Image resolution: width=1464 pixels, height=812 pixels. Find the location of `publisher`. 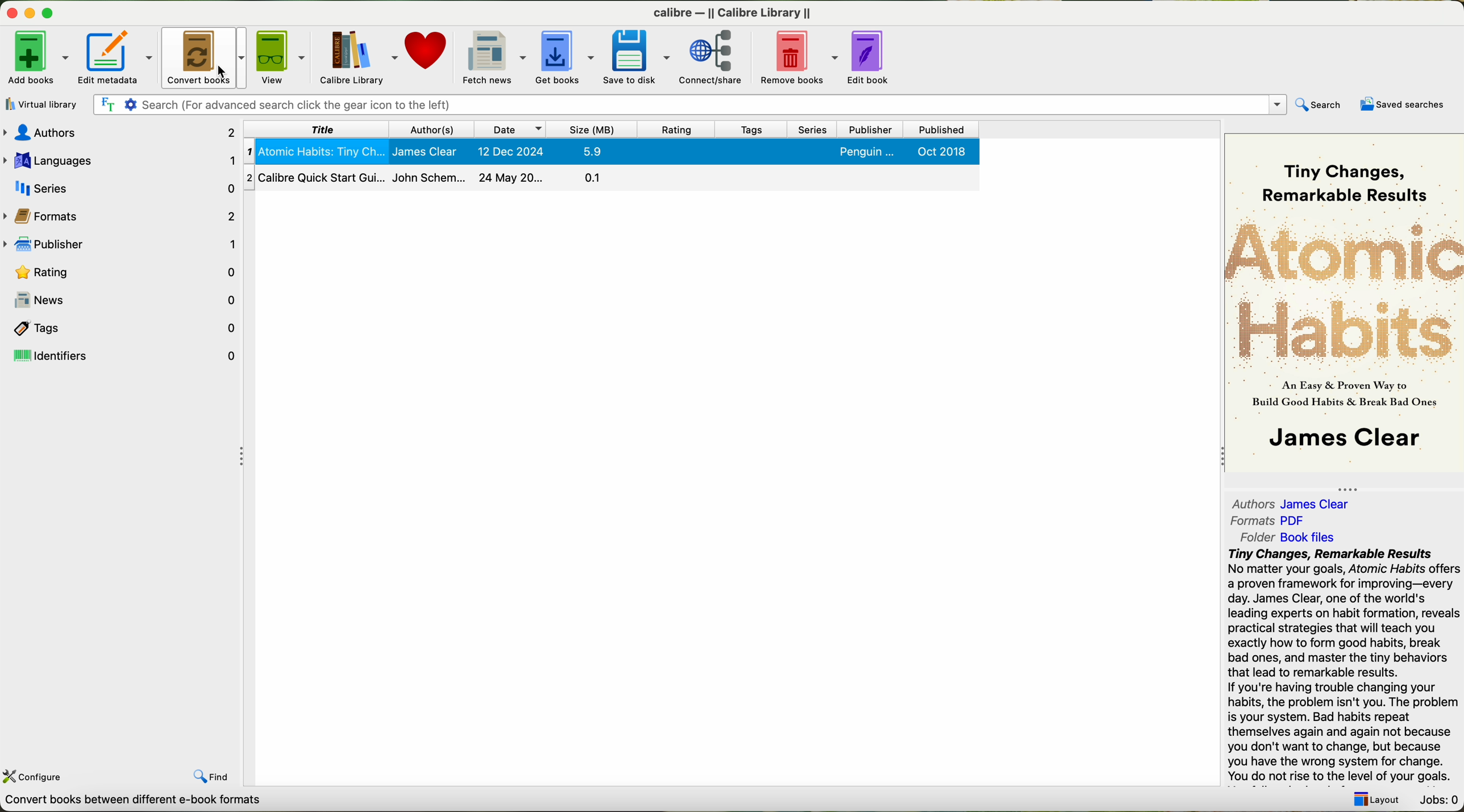

publisher is located at coordinates (121, 243).